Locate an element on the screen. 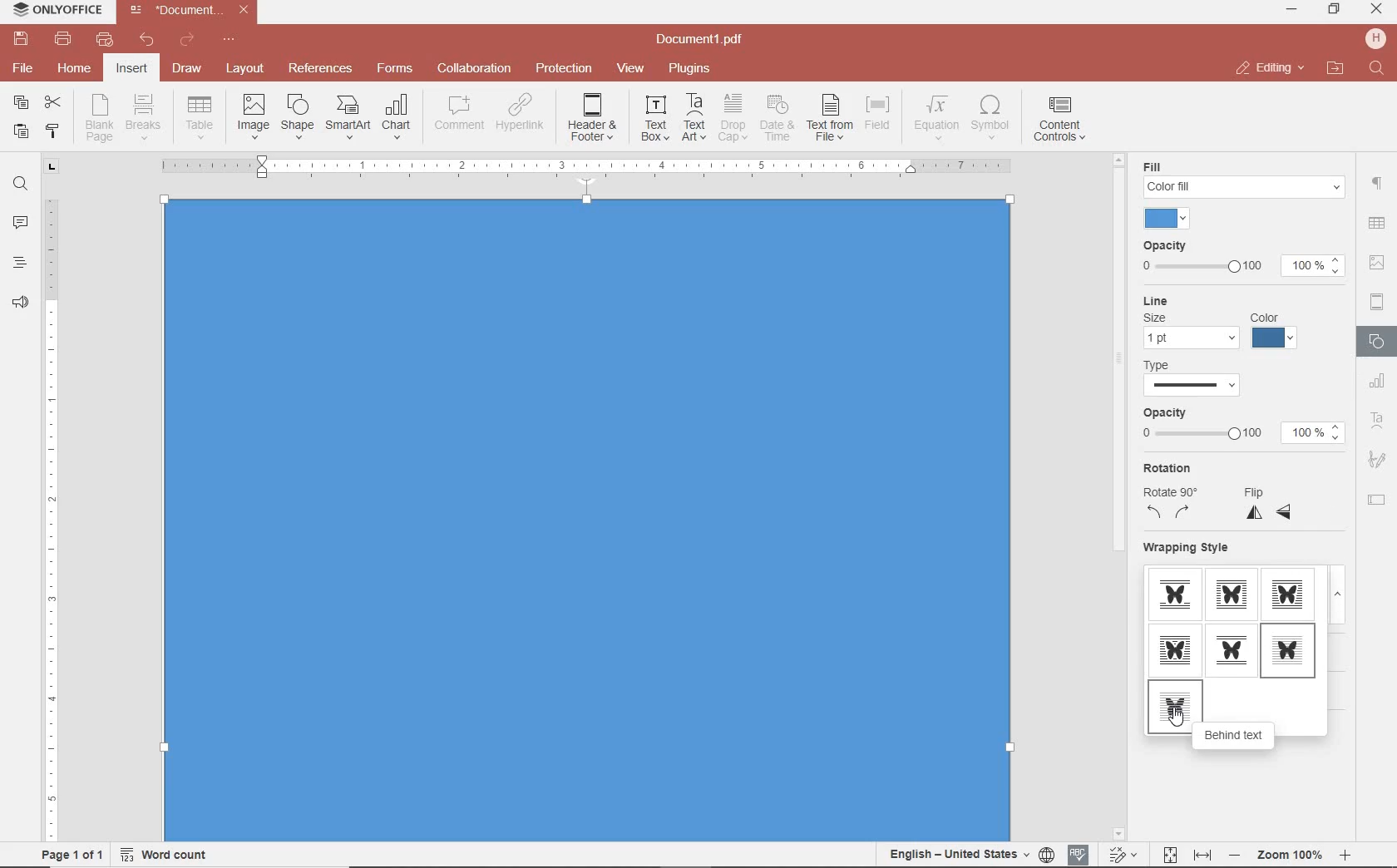 This screenshot has width=1397, height=868.  is located at coordinates (1375, 224).